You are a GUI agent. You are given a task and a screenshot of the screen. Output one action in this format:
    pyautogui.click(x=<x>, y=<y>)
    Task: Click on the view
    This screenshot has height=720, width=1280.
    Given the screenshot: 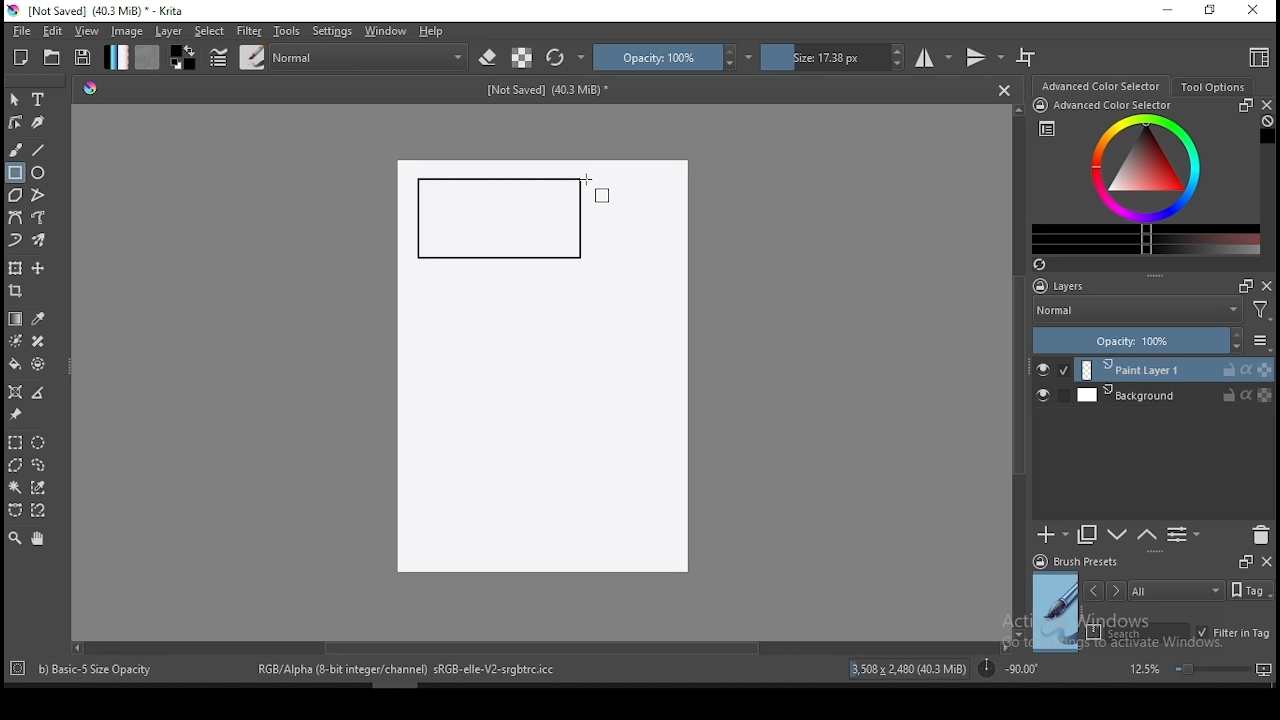 What is the action you would take?
    pyautogui.click(x=86, y=31)
    